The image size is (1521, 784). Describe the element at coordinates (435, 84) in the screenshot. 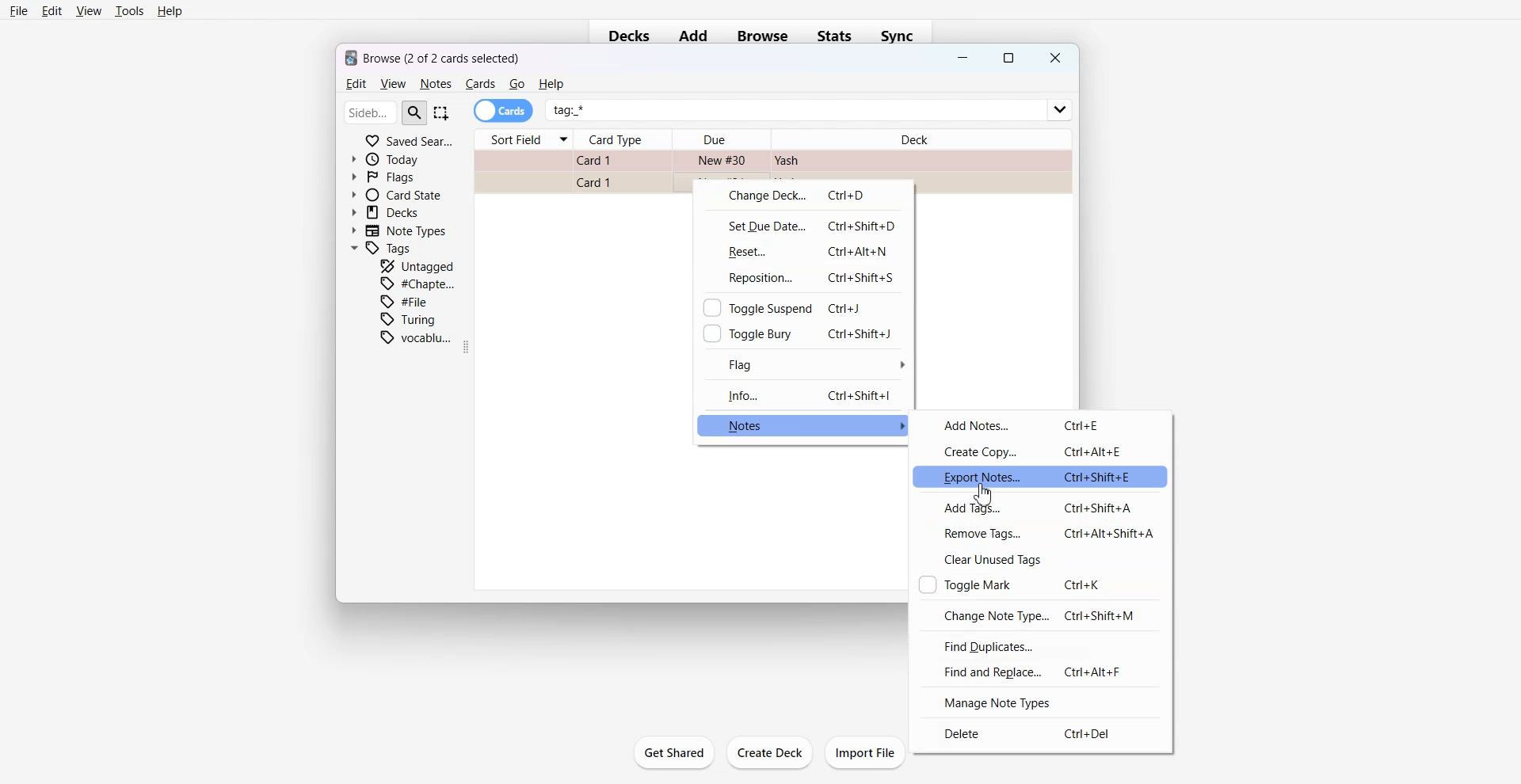

I see `Notes` at that location.